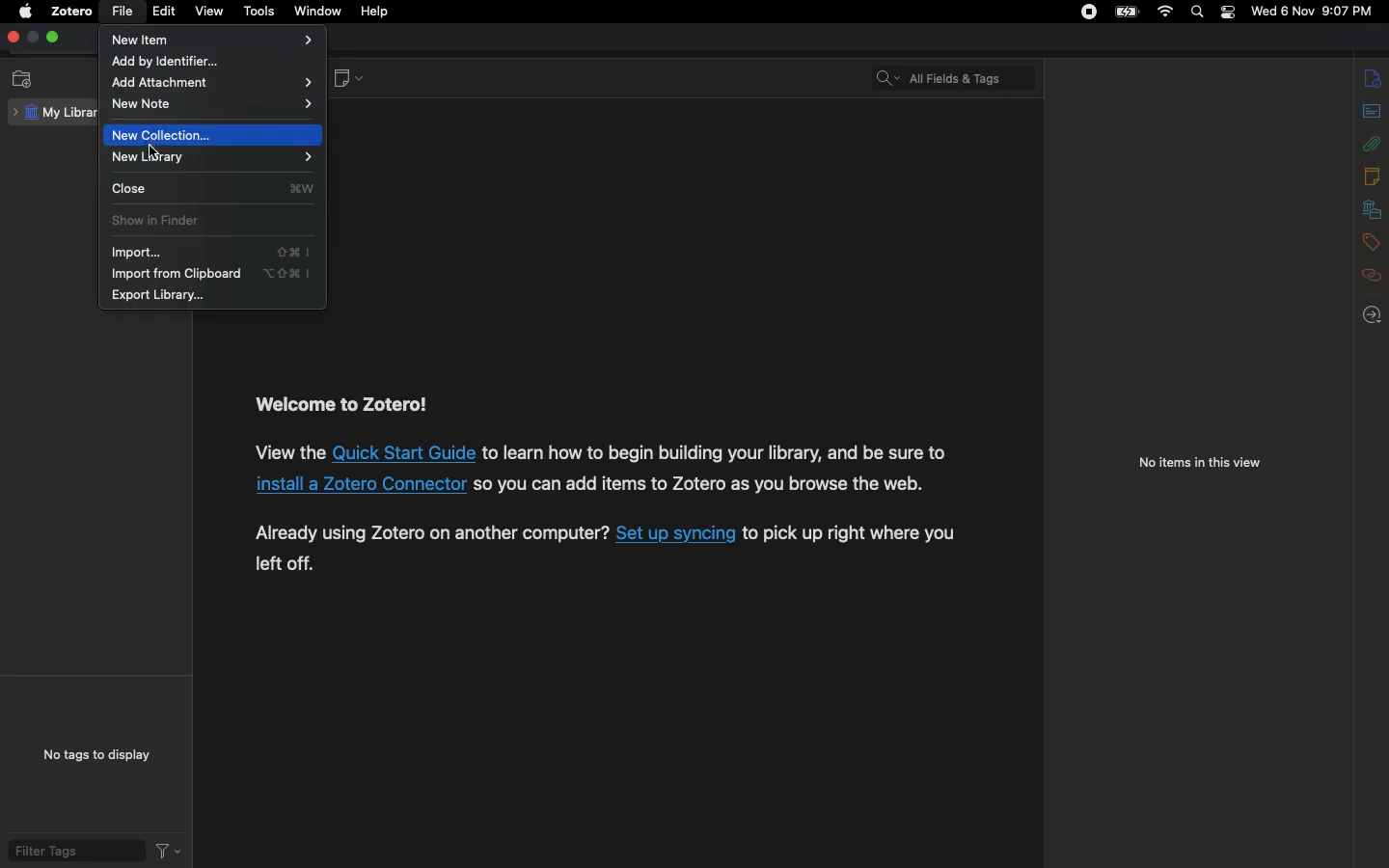 This screenshot has width=1389, height=868. What do you see at coordinates (170, 134) in the screenshot?
I see `New collection` at bounding box center [170, 134].